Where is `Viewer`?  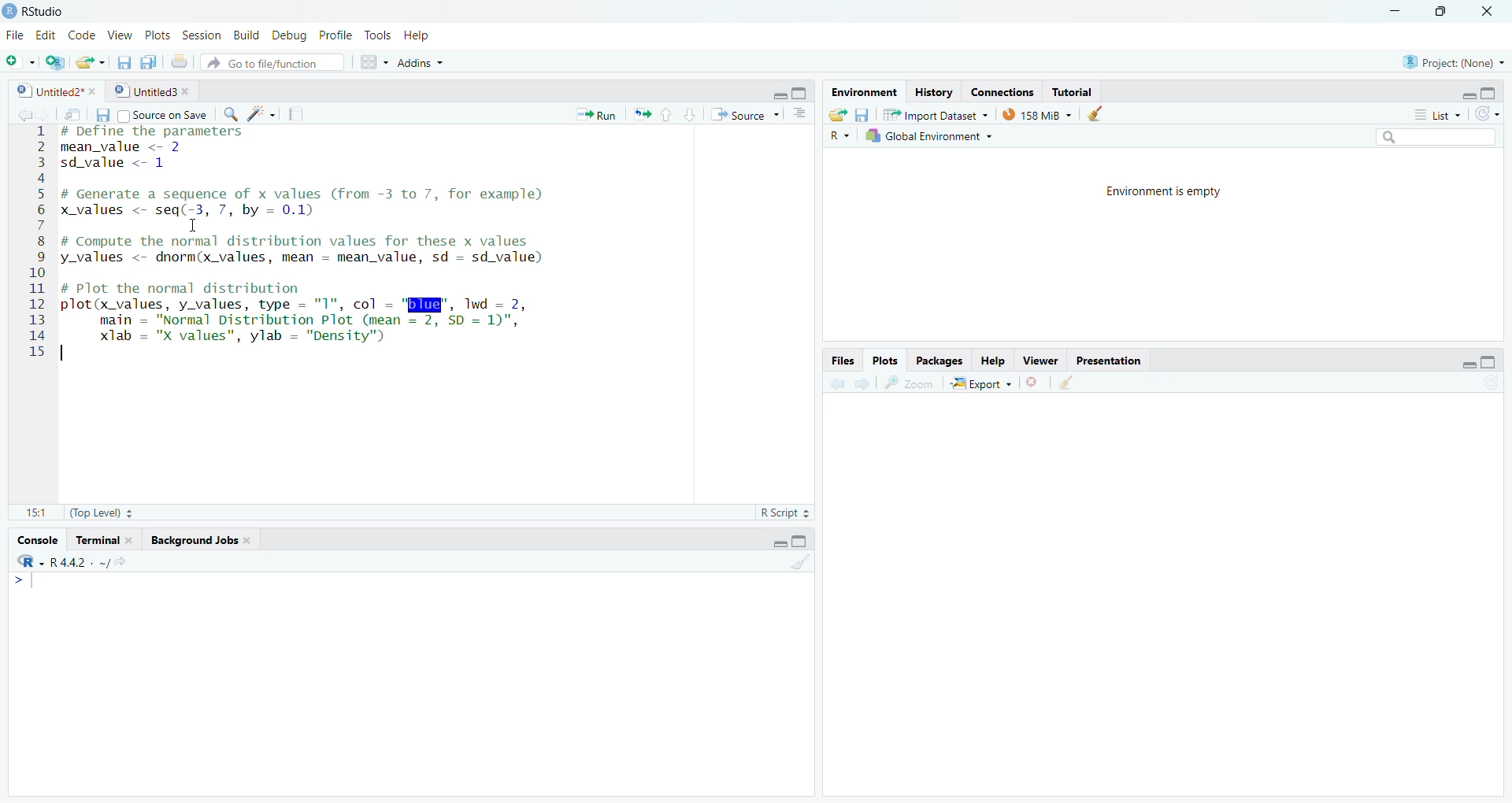 Viewer is located at coordinates (1041, 361).